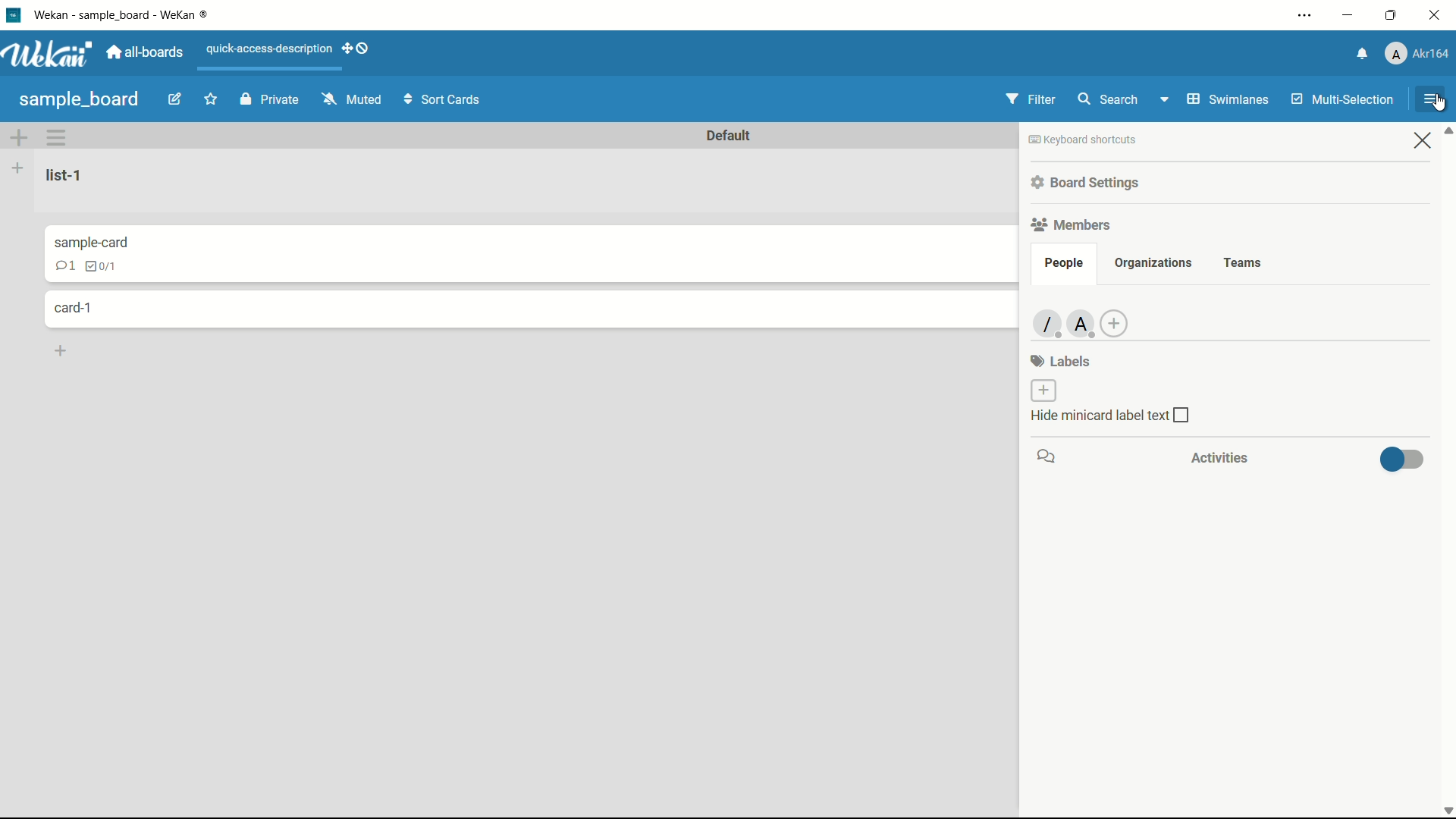  Describe the element at coordinates (1351, 15) in the screenshot. I see `minimize` at that location.